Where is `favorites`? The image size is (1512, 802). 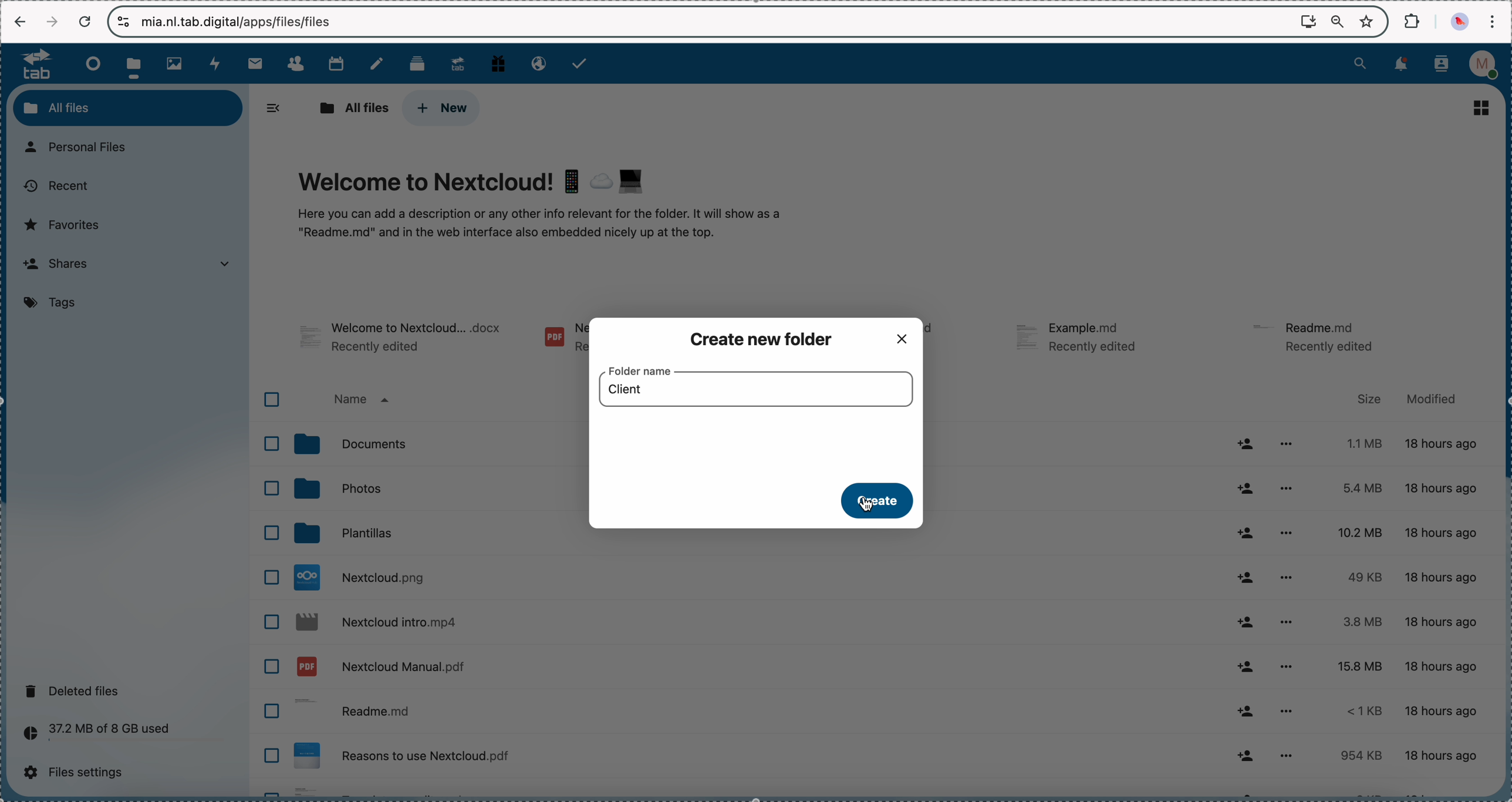 favorites is located at coordinates (1369, 21).